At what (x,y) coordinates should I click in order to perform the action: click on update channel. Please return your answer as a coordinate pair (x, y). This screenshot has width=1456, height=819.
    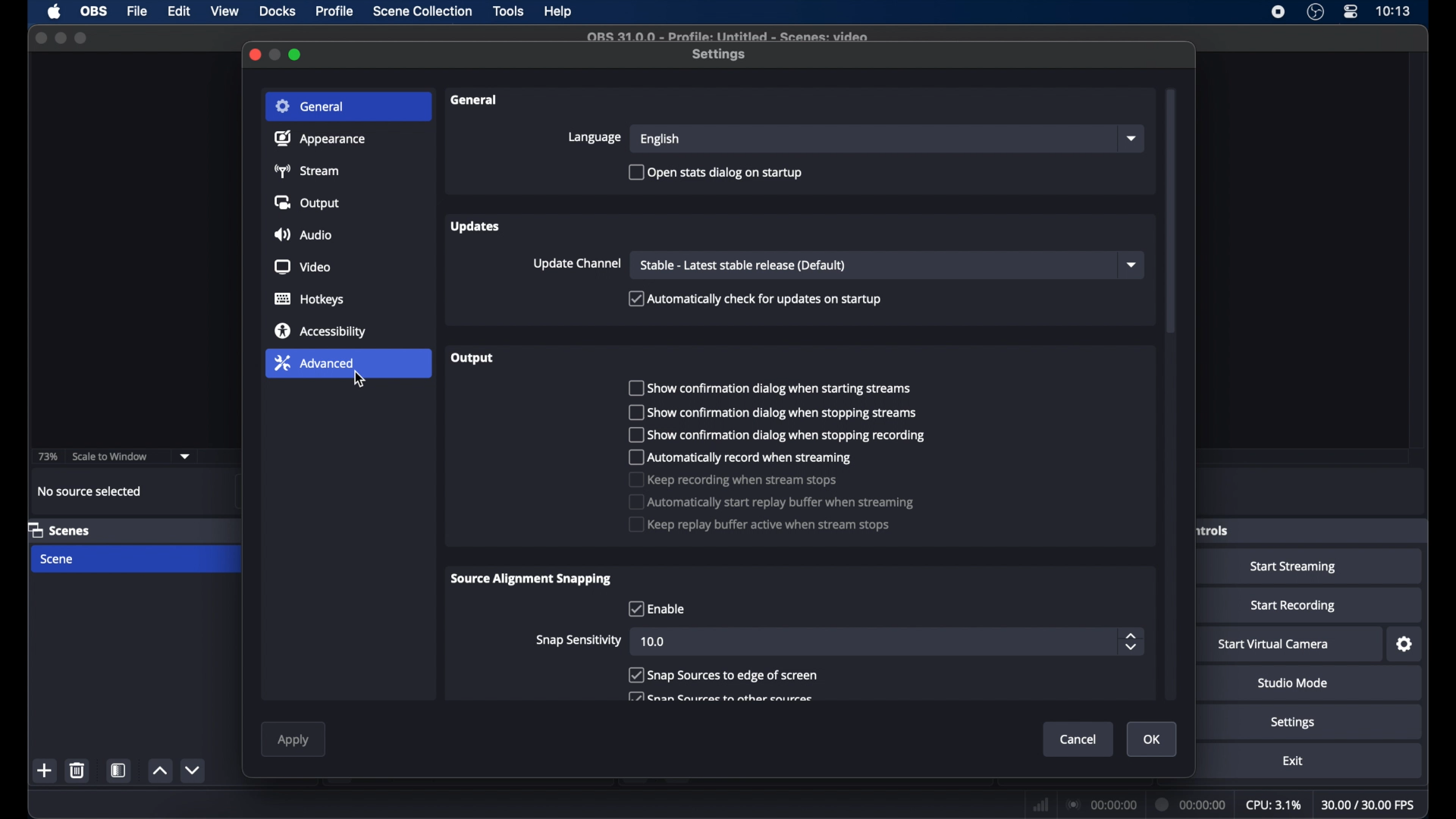
    Looking at the image, I should click on (576, 263).